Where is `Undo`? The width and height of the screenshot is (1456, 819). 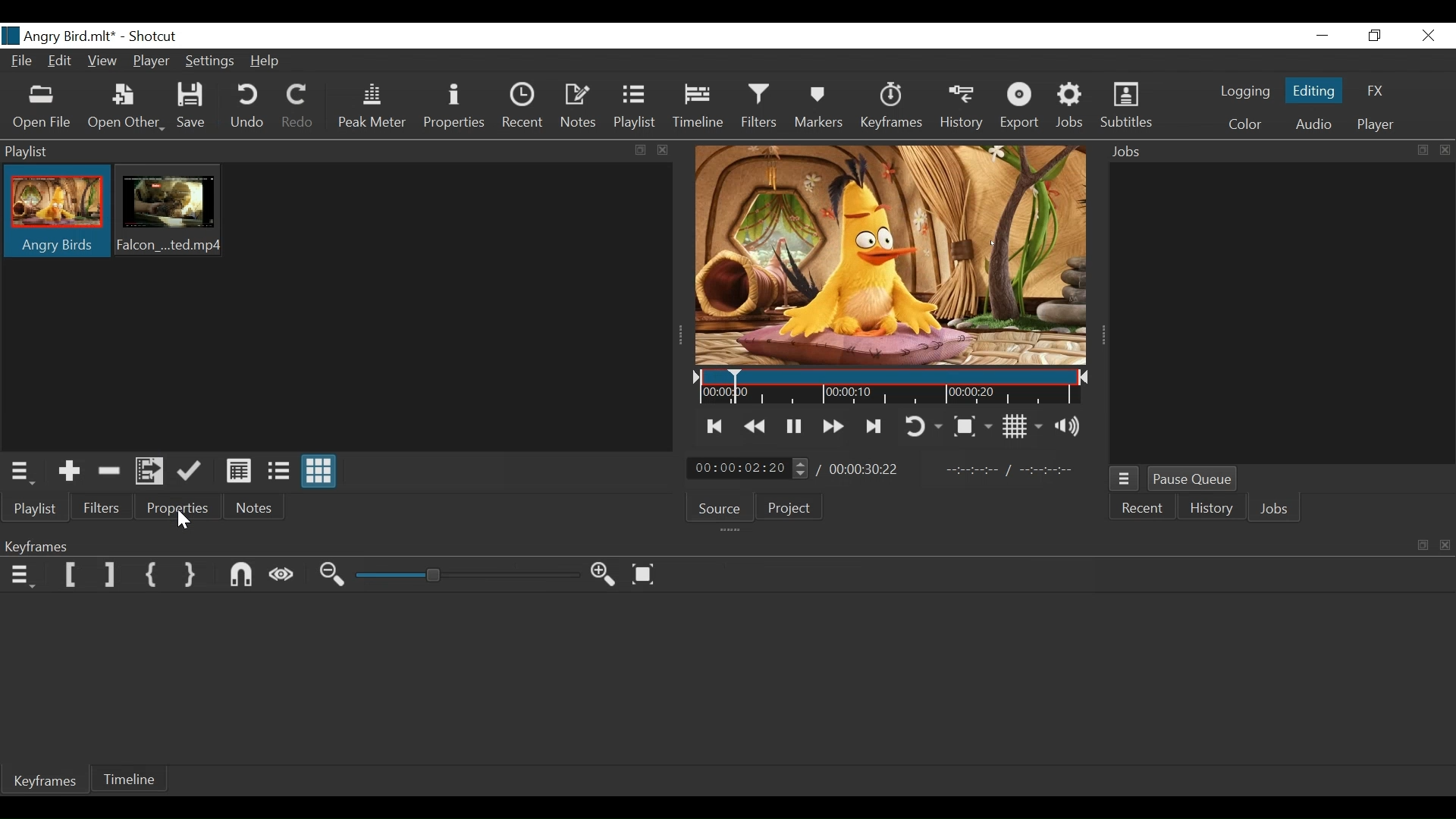
Undo is located at coordinates (249, 108).